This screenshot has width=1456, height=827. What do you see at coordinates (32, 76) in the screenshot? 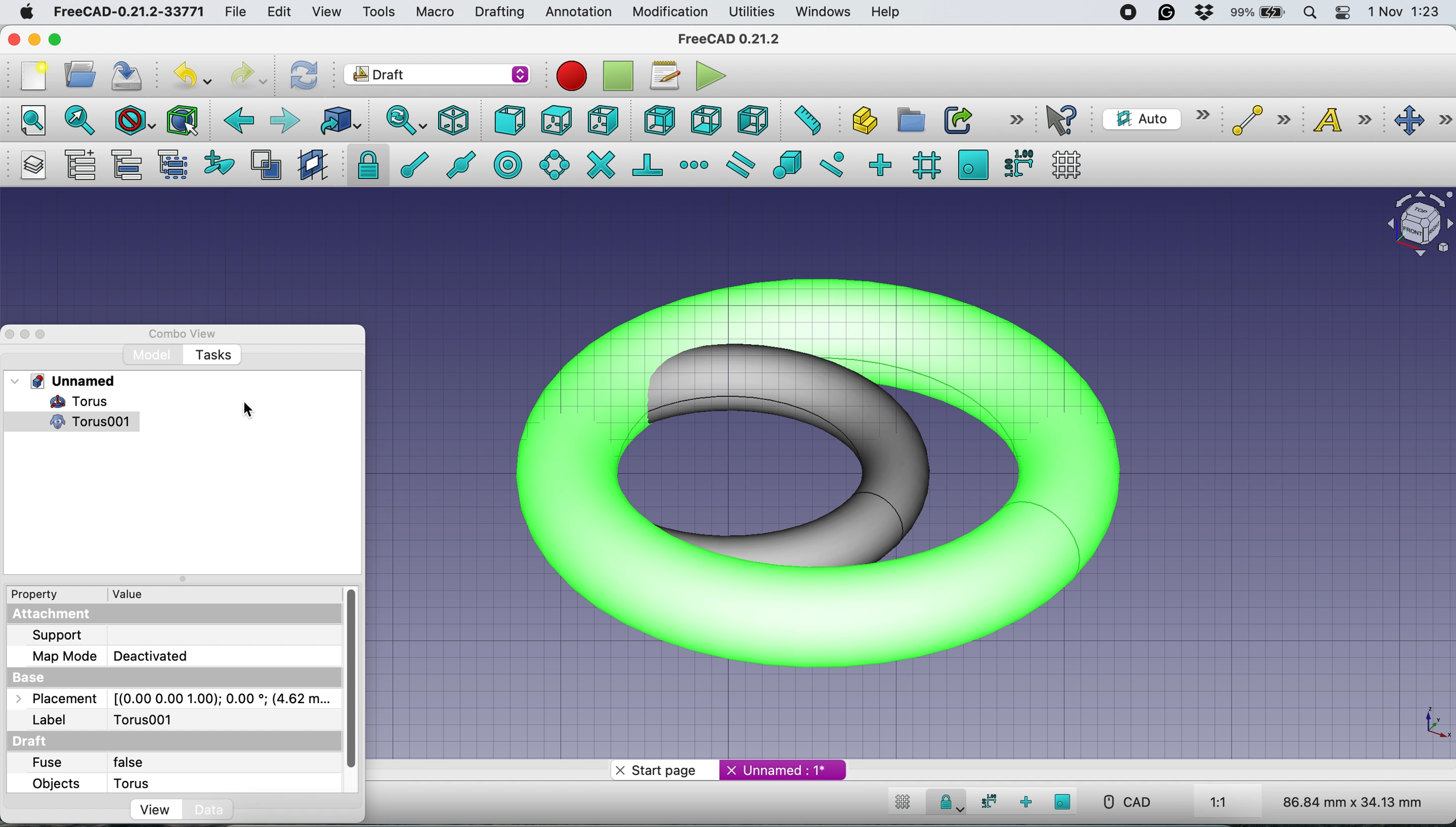
I see `new` at bounding box center [32, 76].